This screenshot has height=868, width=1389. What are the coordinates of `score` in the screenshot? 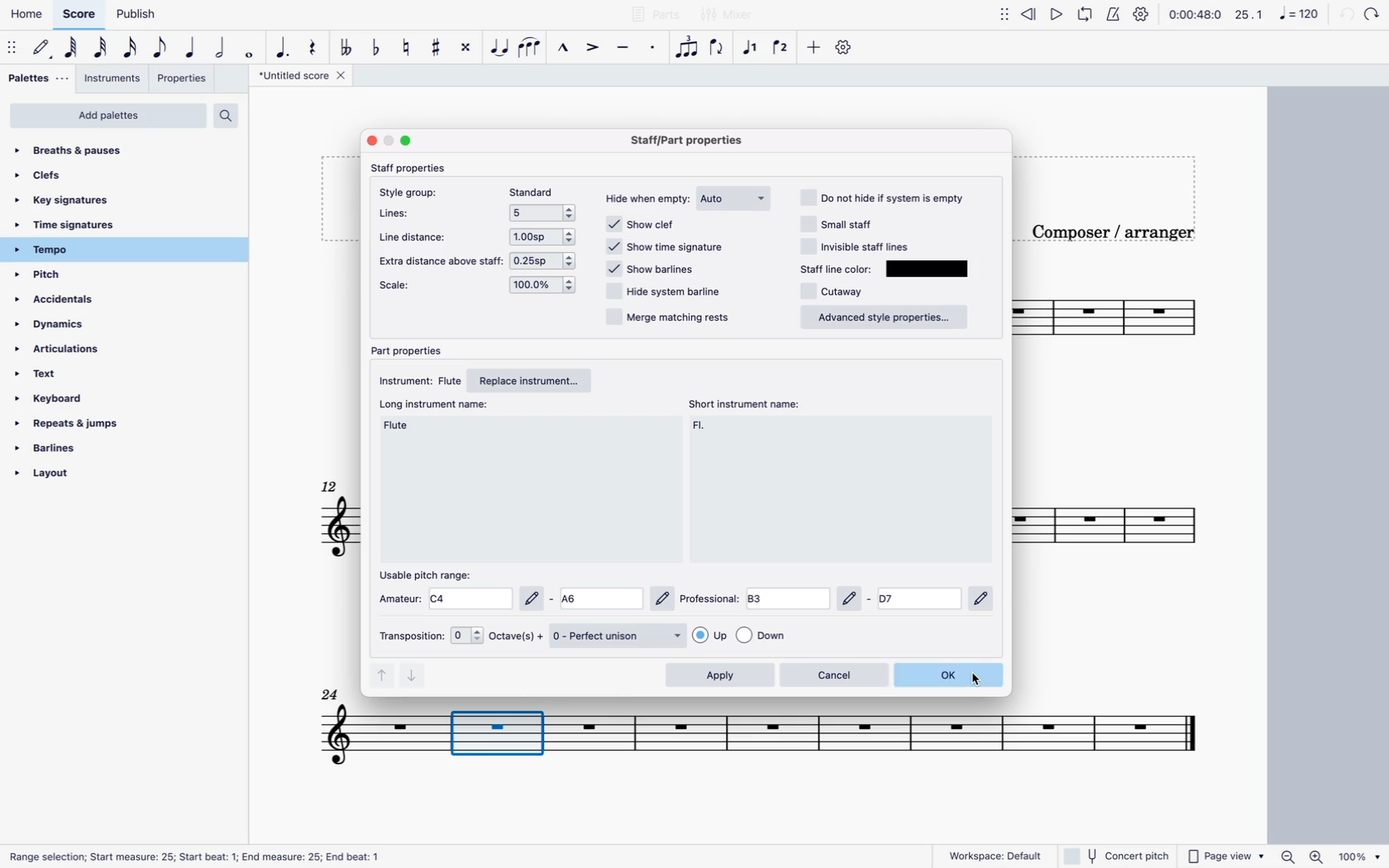 It's located at (322, 518).